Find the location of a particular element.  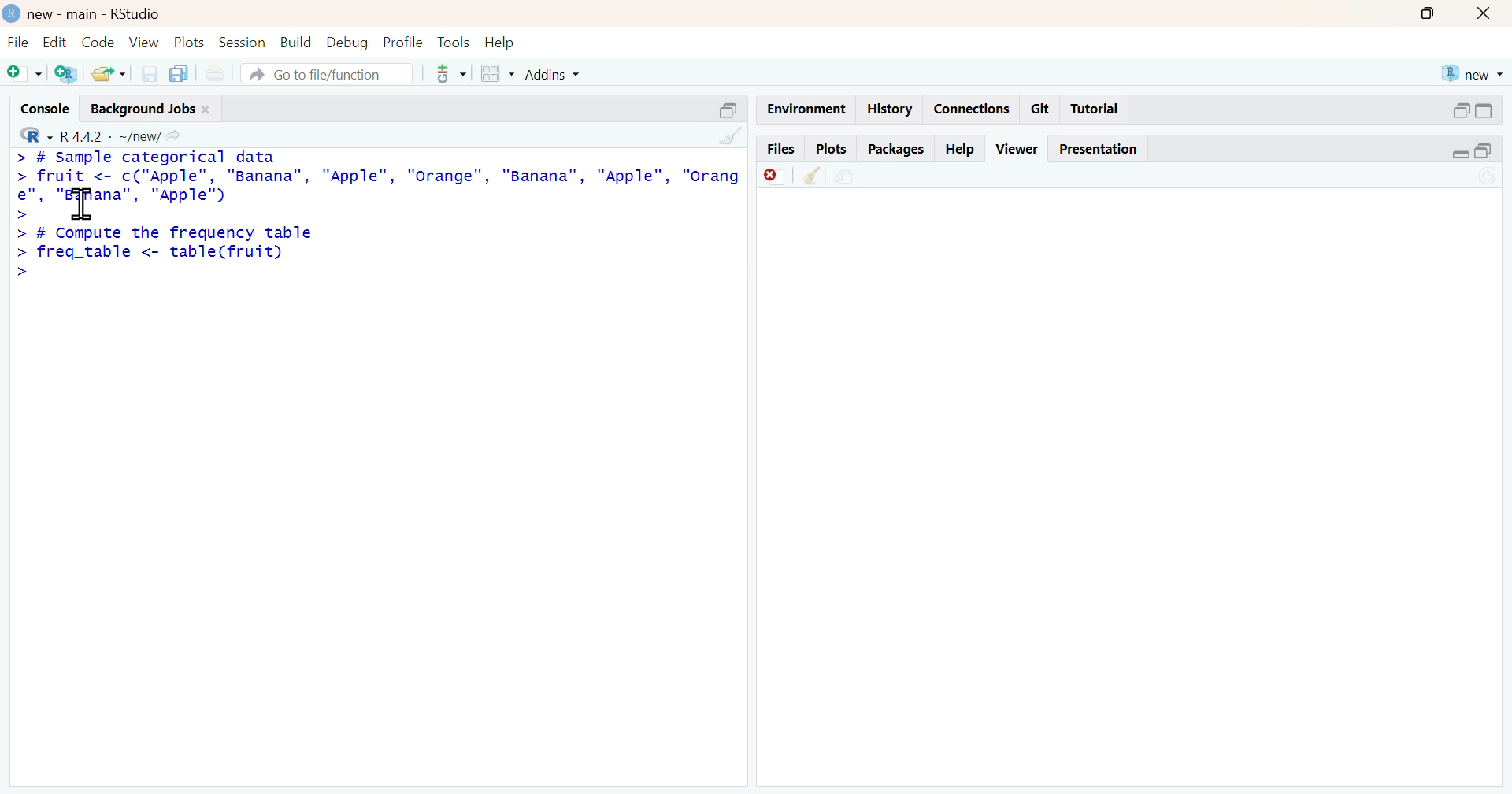

save all open documents is located at coordinates (181, 74).